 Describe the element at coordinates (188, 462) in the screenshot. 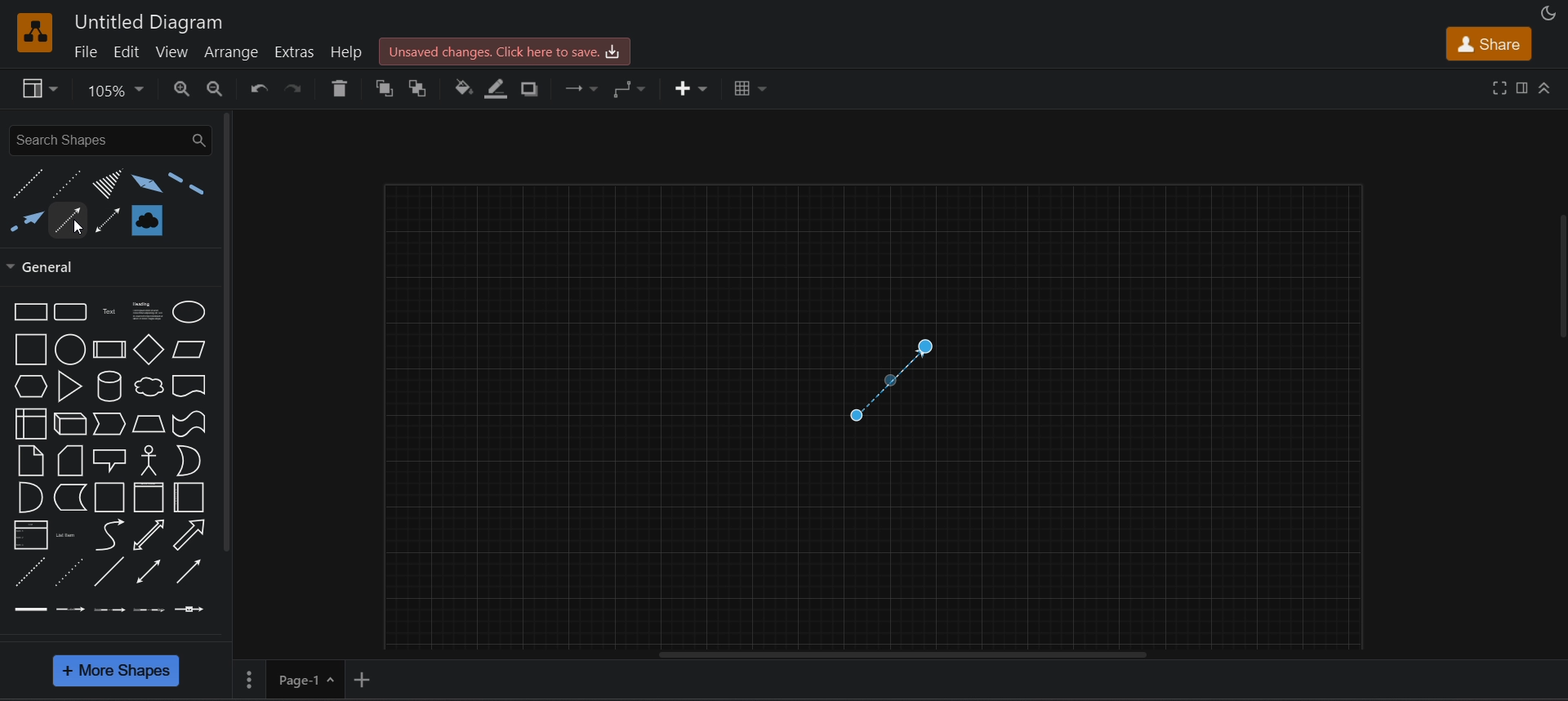

I see `or` at that location.